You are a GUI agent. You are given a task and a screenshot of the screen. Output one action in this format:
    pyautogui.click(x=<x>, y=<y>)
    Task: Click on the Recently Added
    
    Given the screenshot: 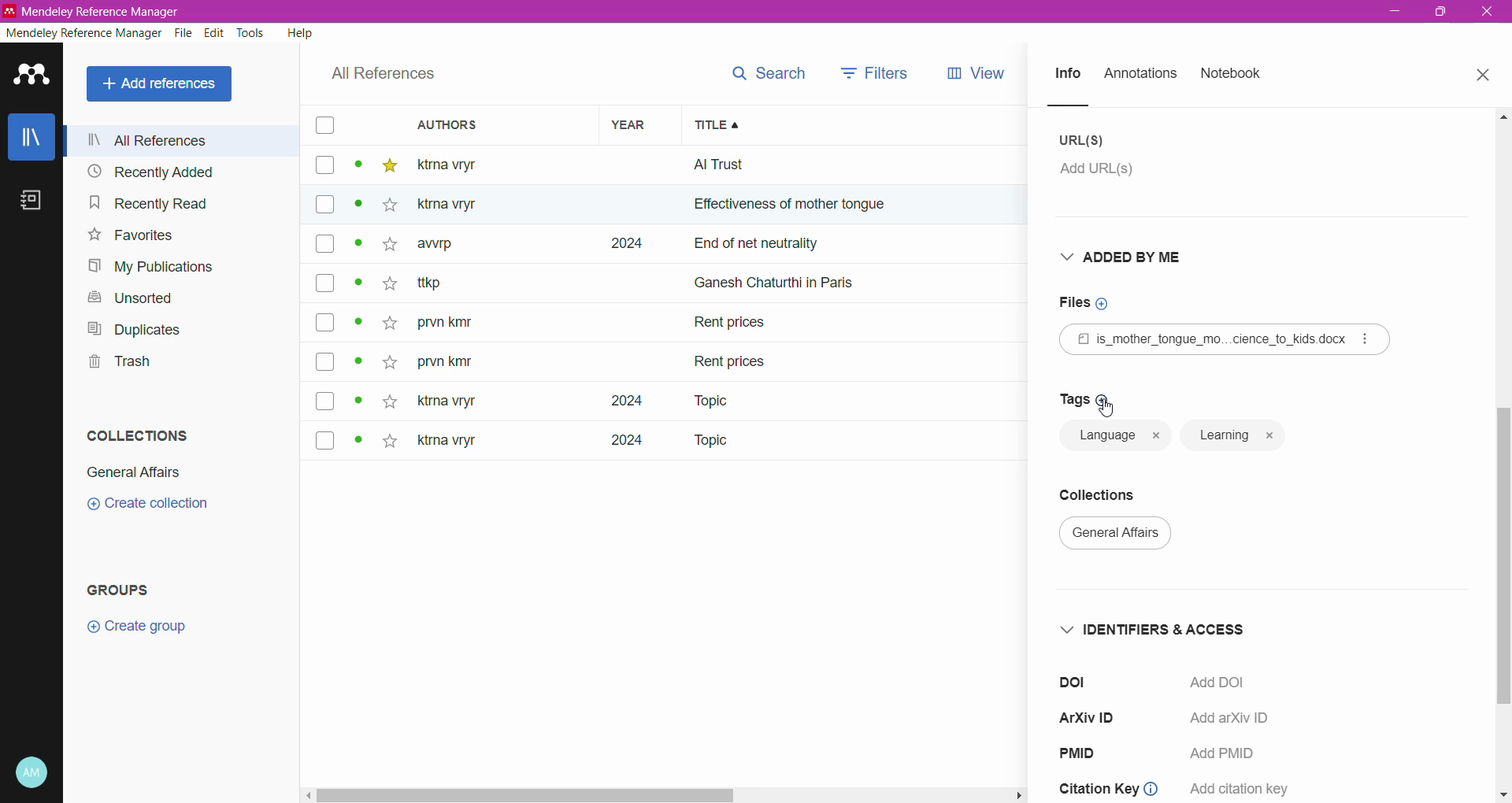 What is the action you would take?
    pyautogui.click(x=176, y=171)
    